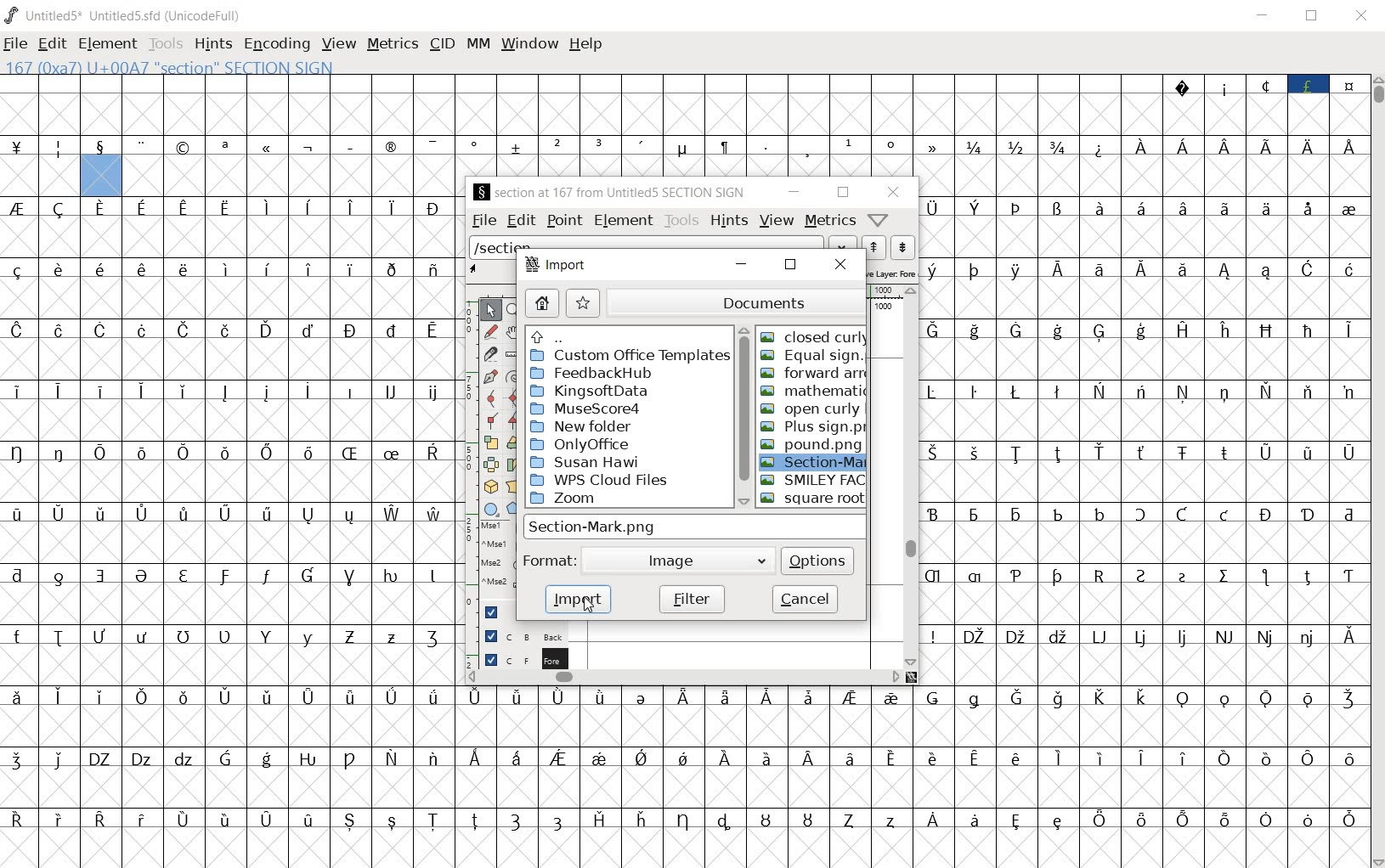 This screenshot has width=1385, height=868. What do you see at coordinates (811, 357) in the screenshot?
I see `EQUAL SIGN.PNG` at bounding box center [811, 357].